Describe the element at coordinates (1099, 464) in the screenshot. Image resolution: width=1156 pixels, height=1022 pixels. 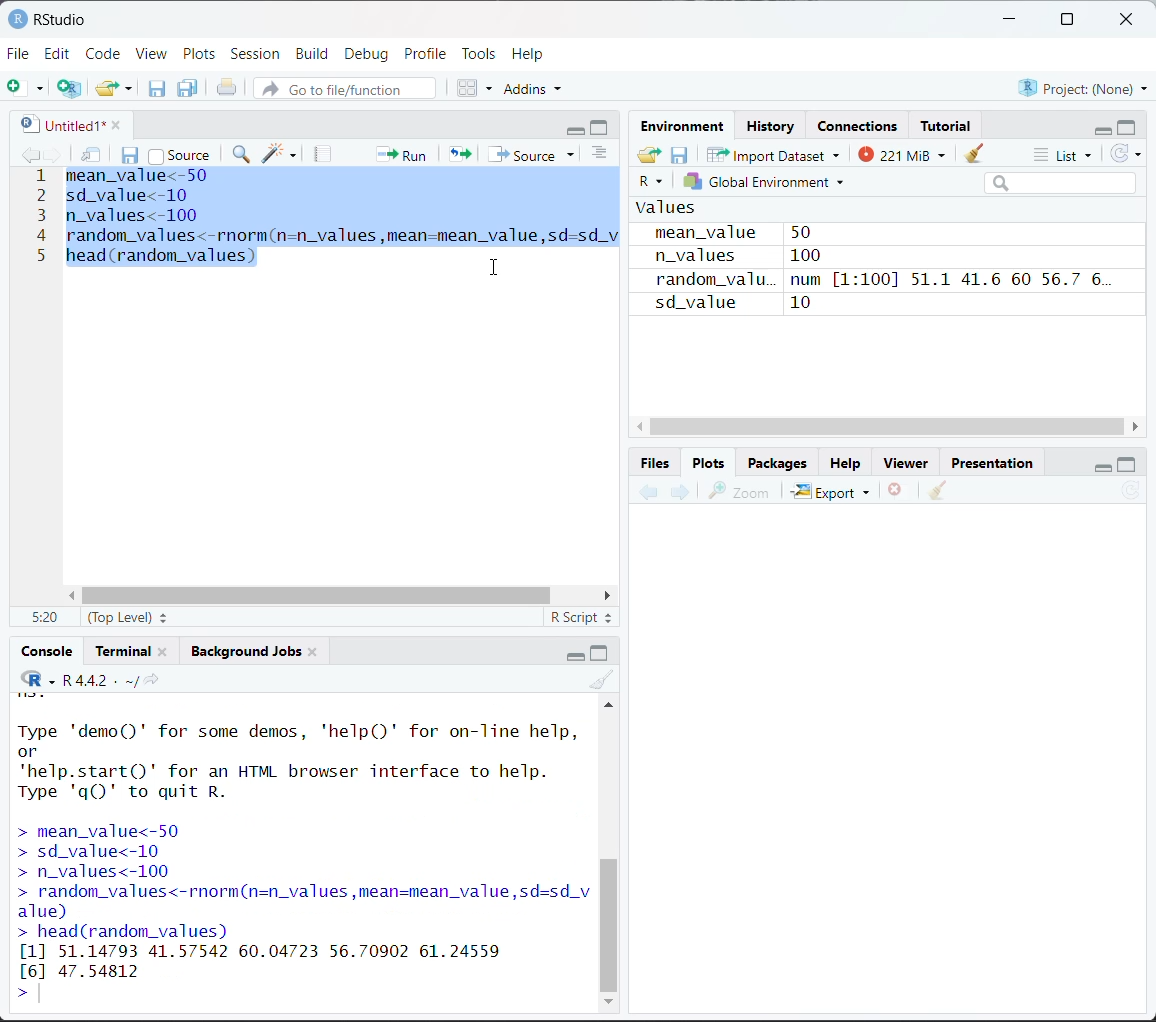
I see `minimize` at that location.